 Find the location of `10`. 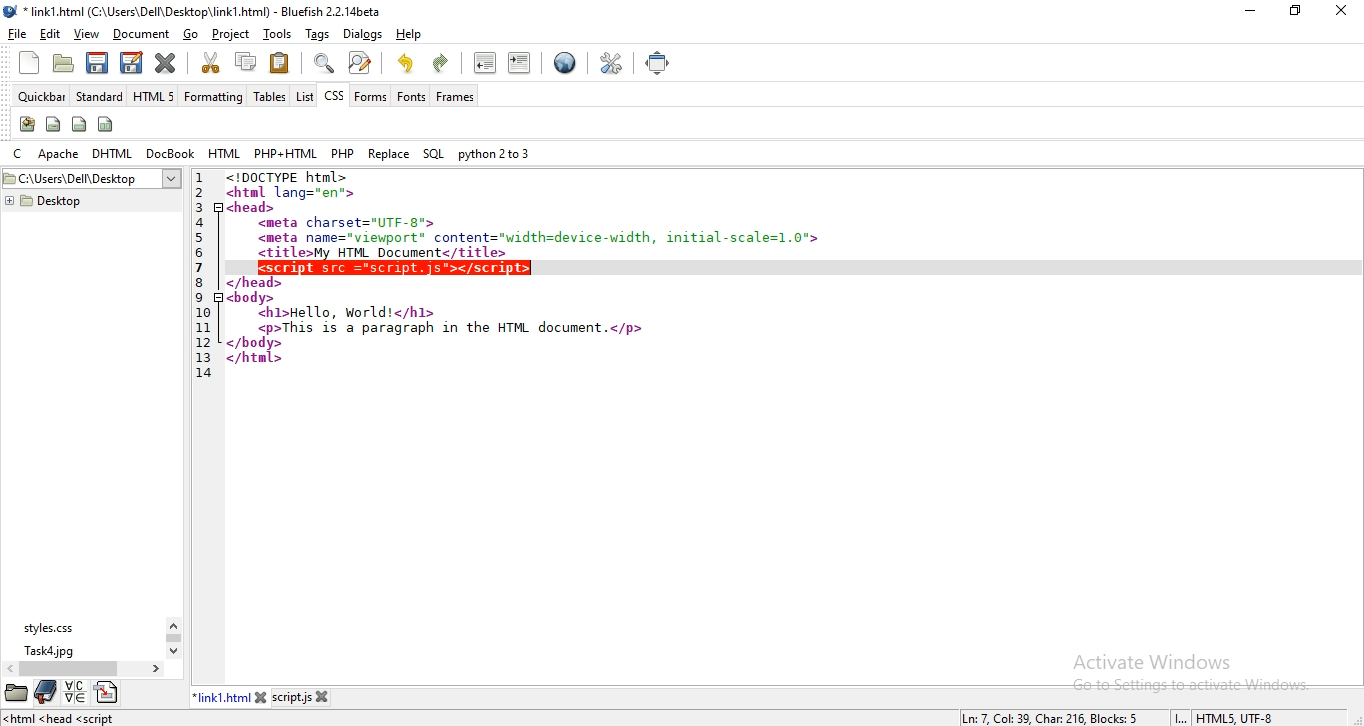

10 is located at coordinates (203, 313).